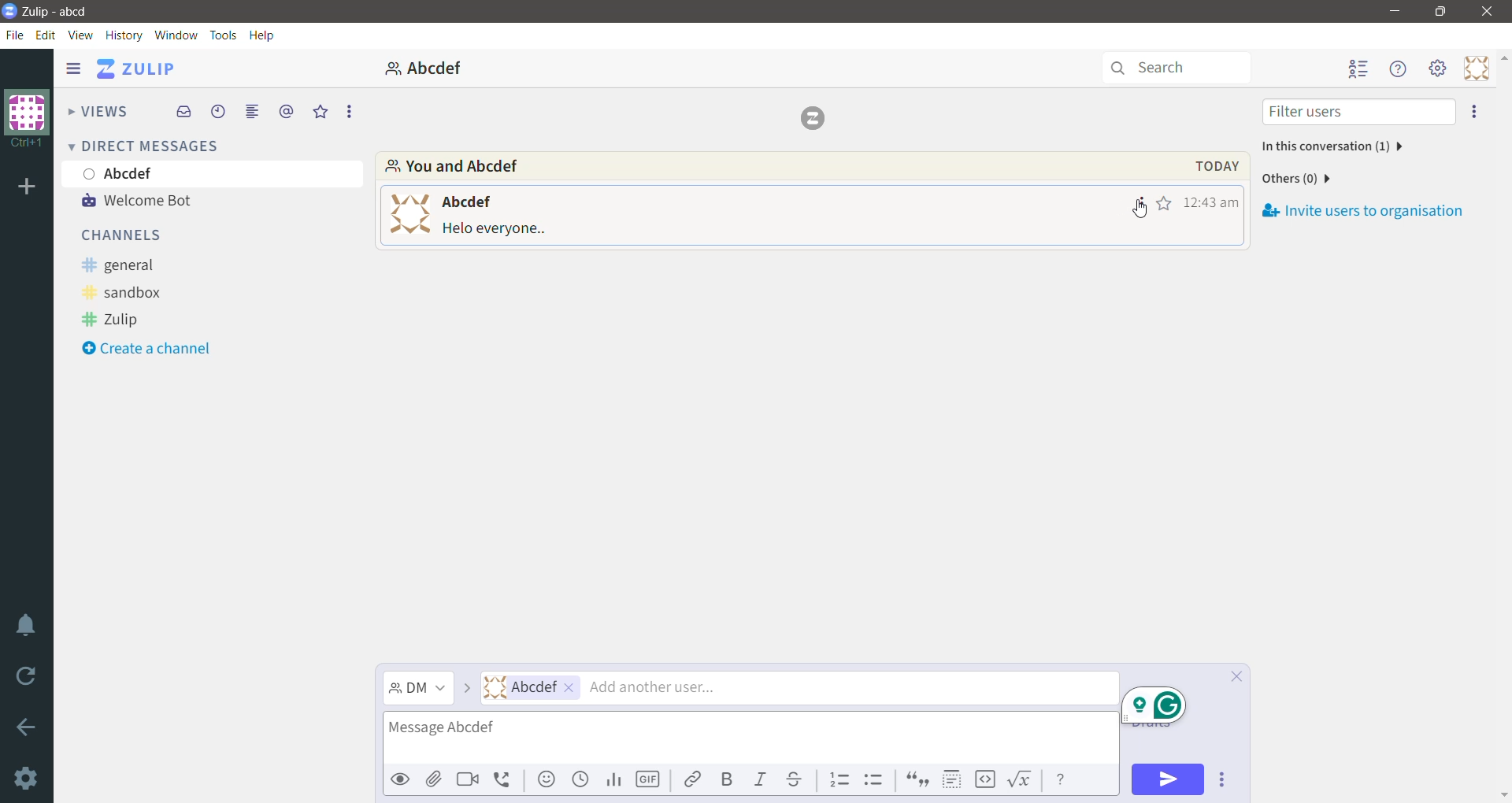  I want to click on Message Formatting, so click(1064, 781).